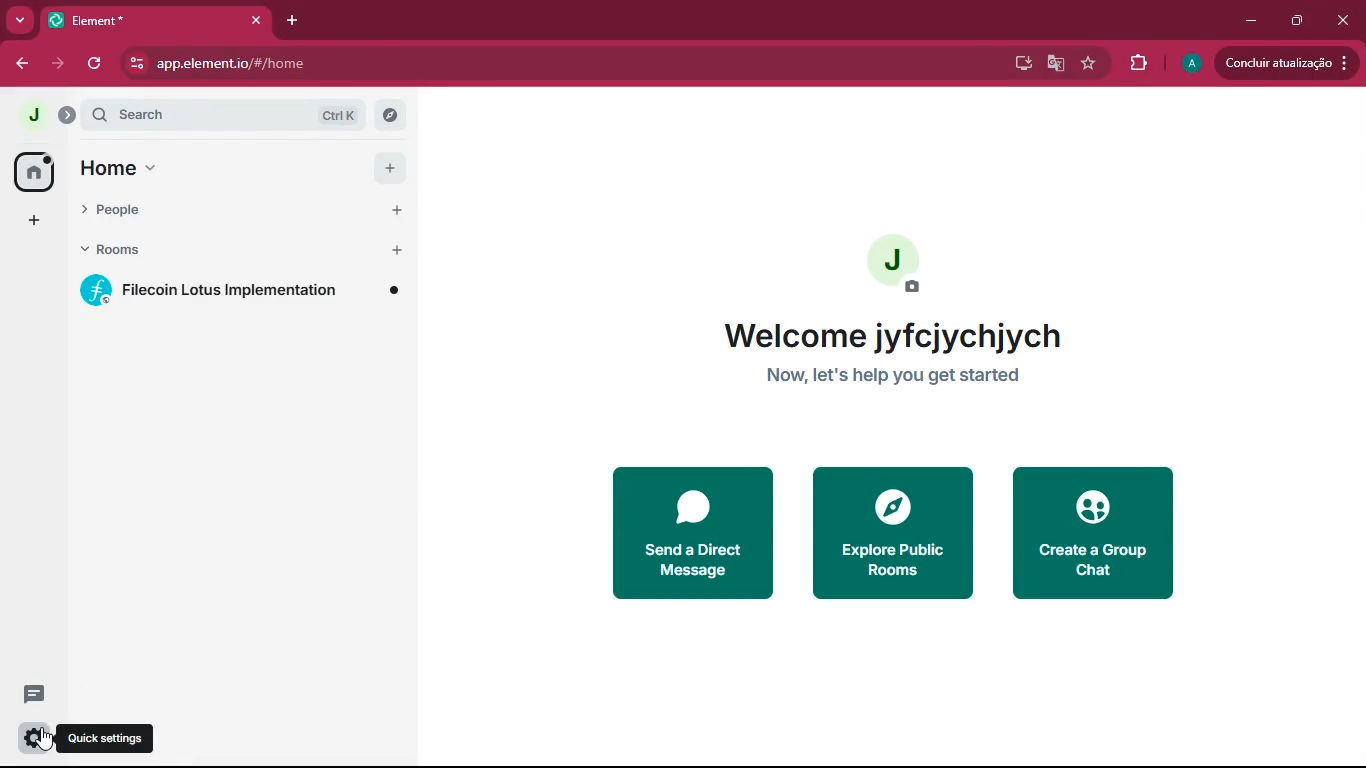 This screenshot has height=768, width=1366. Describe the element at coordinates (1254, 21) in the screenshot. I see `minimize` at that location.